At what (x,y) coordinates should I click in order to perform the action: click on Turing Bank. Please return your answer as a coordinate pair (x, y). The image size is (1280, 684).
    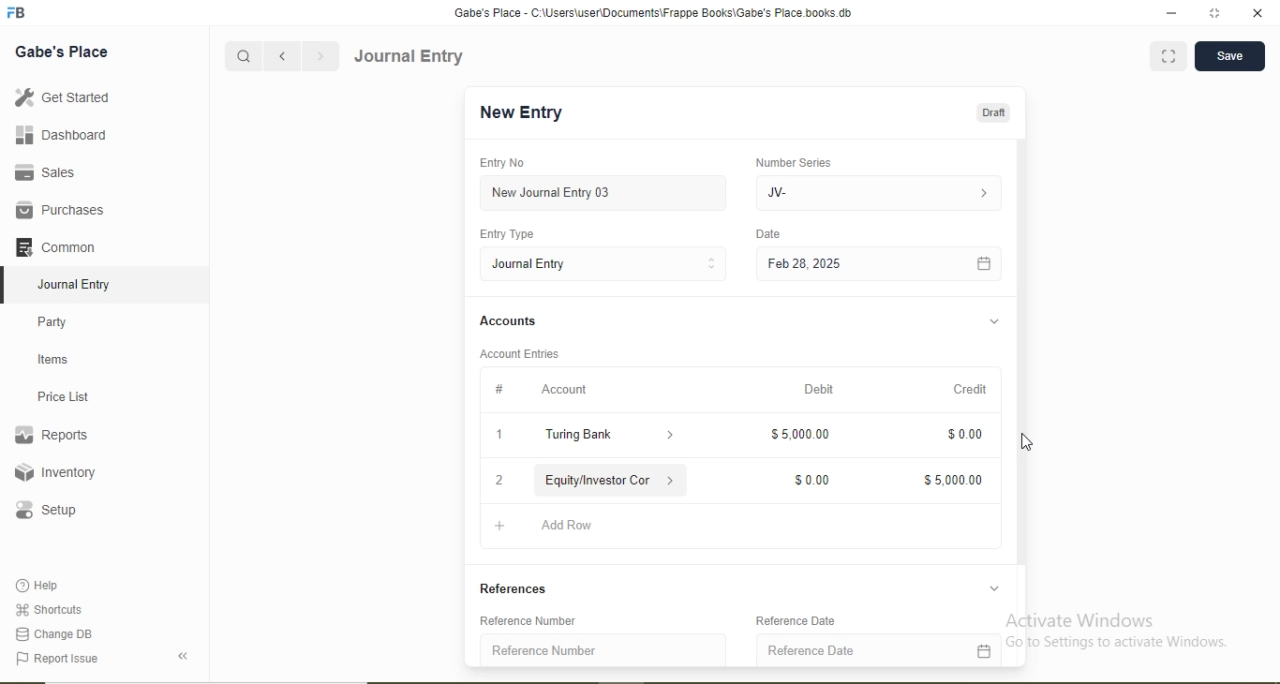
    Looking at the image, I should click on (582, 434).